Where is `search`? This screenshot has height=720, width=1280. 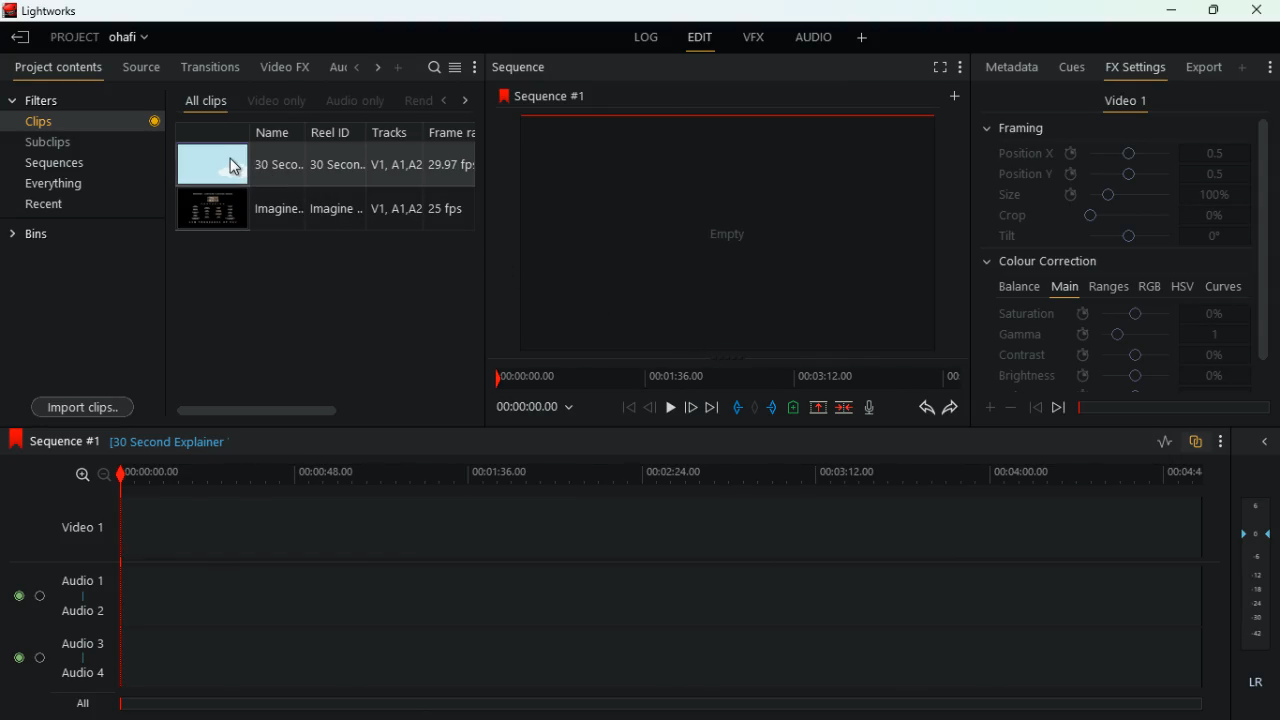
search is located at coordinates (432, 67).